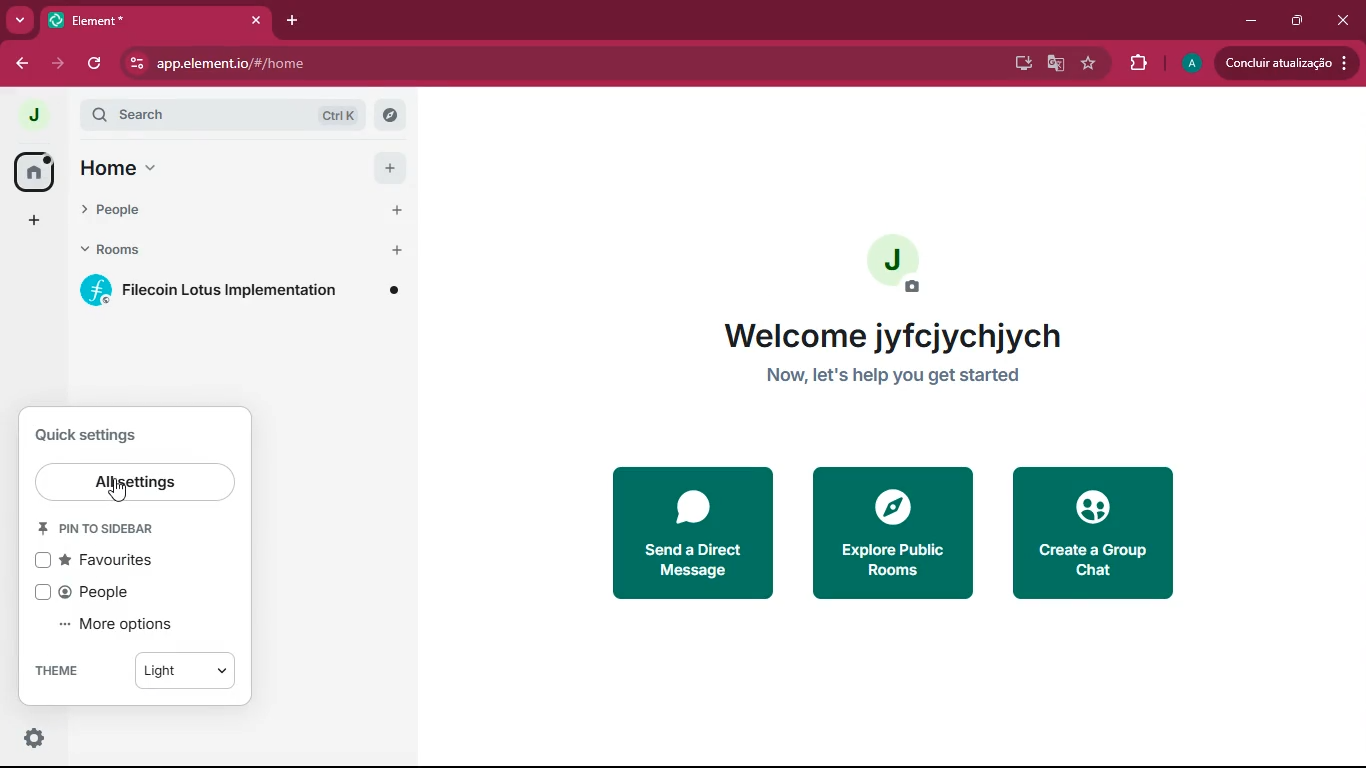 This screenshot has width=1366, height=768. I want to click on favourite, so click(1089, 64).